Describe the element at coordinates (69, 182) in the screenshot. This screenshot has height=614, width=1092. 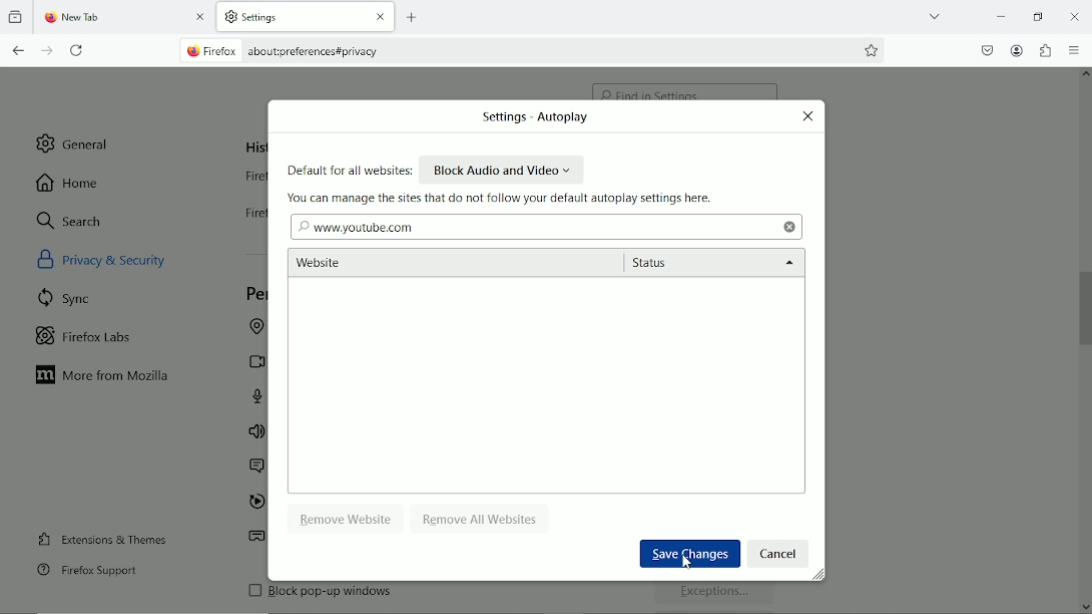
I see `home` at that location.